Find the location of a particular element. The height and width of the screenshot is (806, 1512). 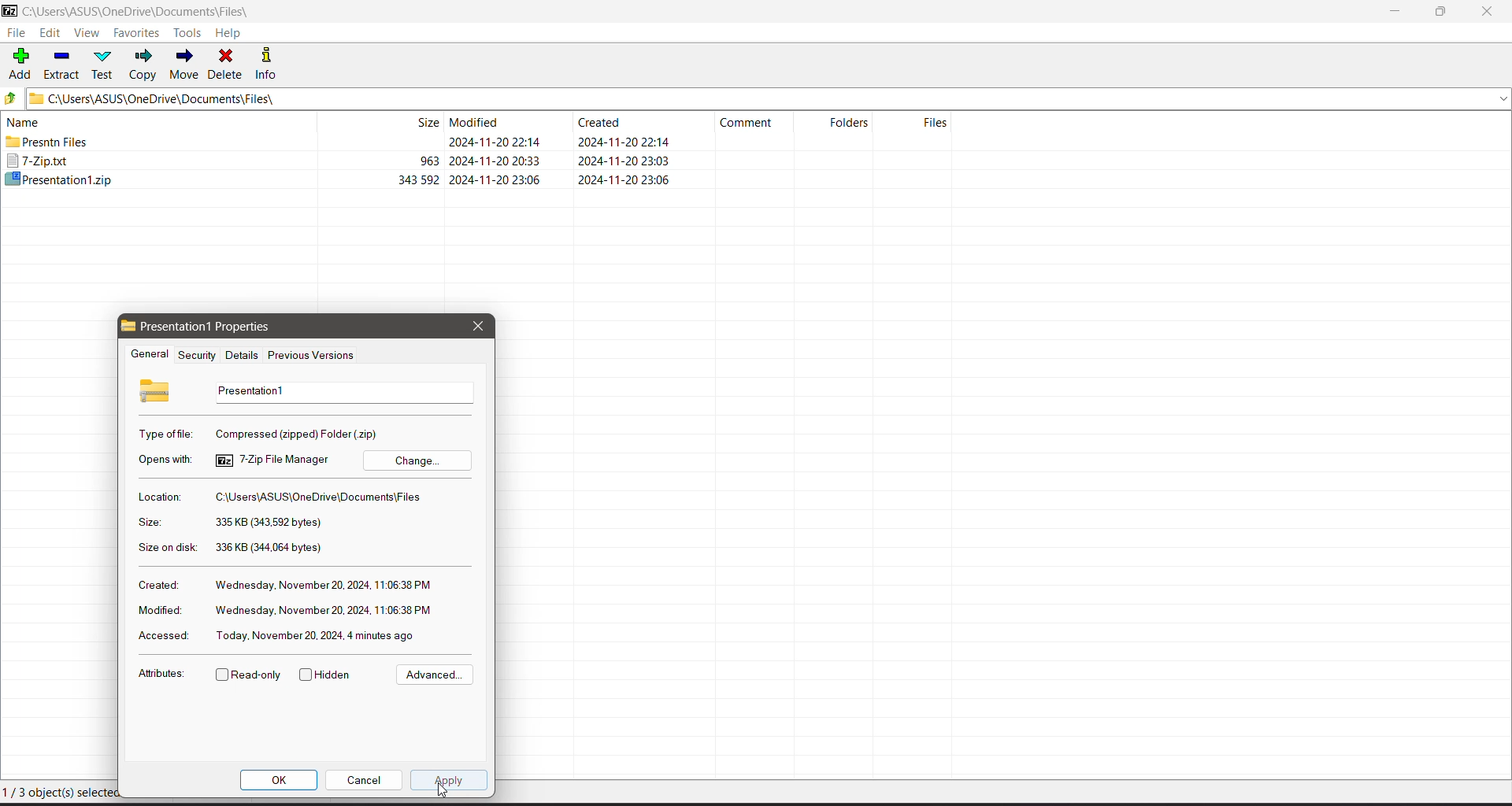

Current Folder Path is located at coordinates (769, 98).